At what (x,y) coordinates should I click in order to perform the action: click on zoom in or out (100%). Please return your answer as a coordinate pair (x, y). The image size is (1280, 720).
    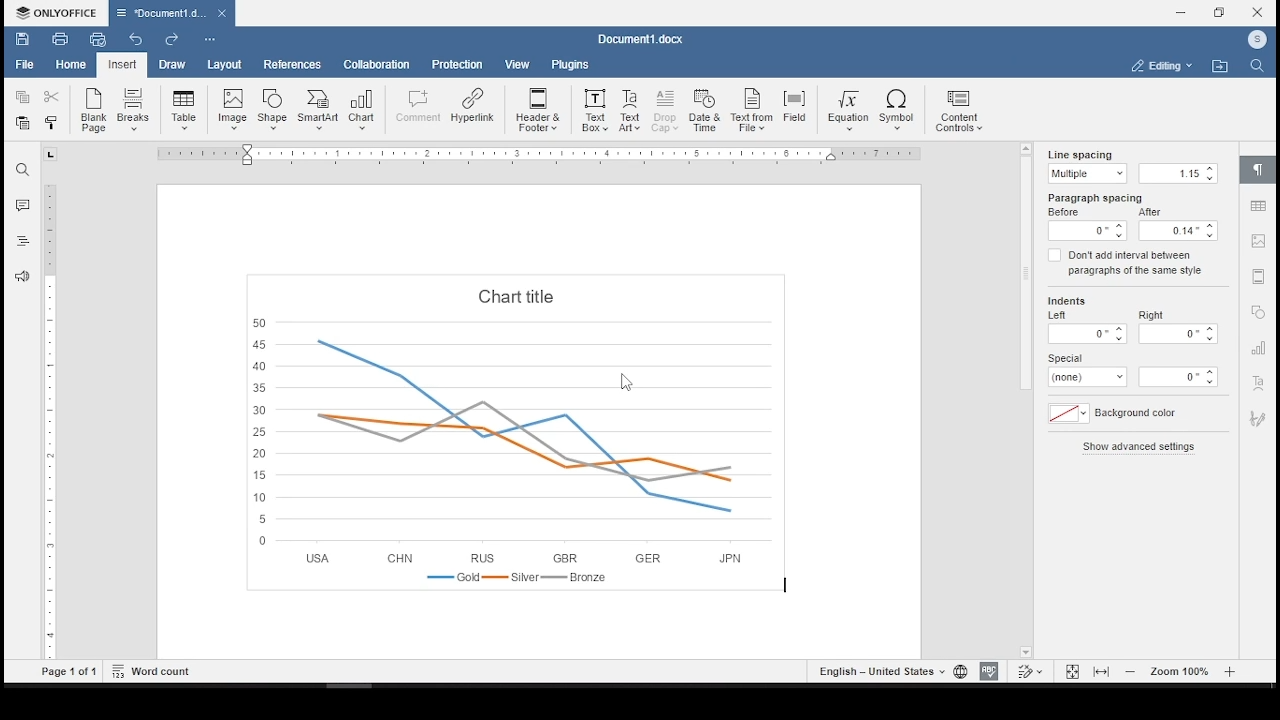
    Looking at the image, I should click on (1181, 670).